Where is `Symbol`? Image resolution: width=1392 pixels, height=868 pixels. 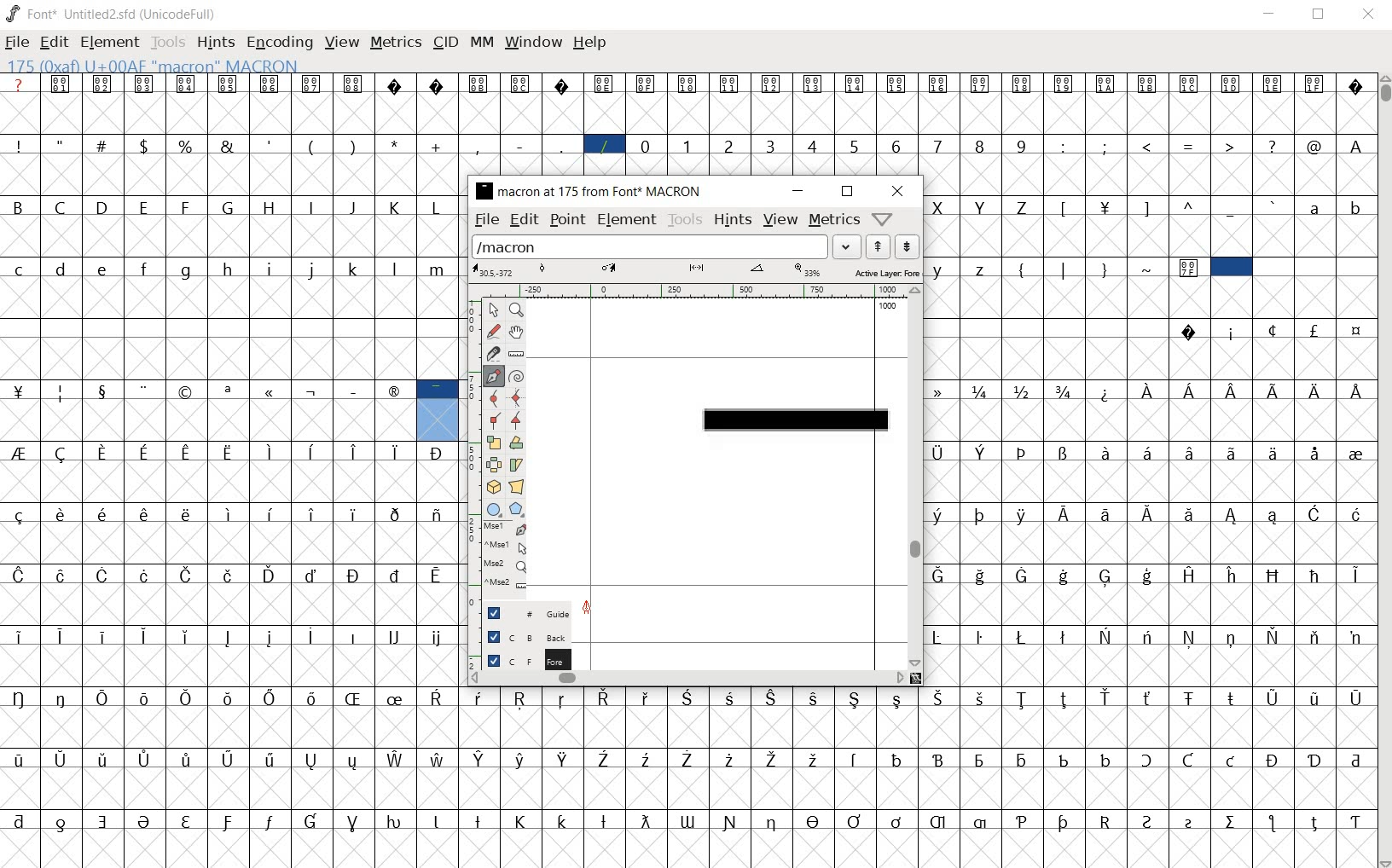
Symbol is located at coordinates (63, 819).